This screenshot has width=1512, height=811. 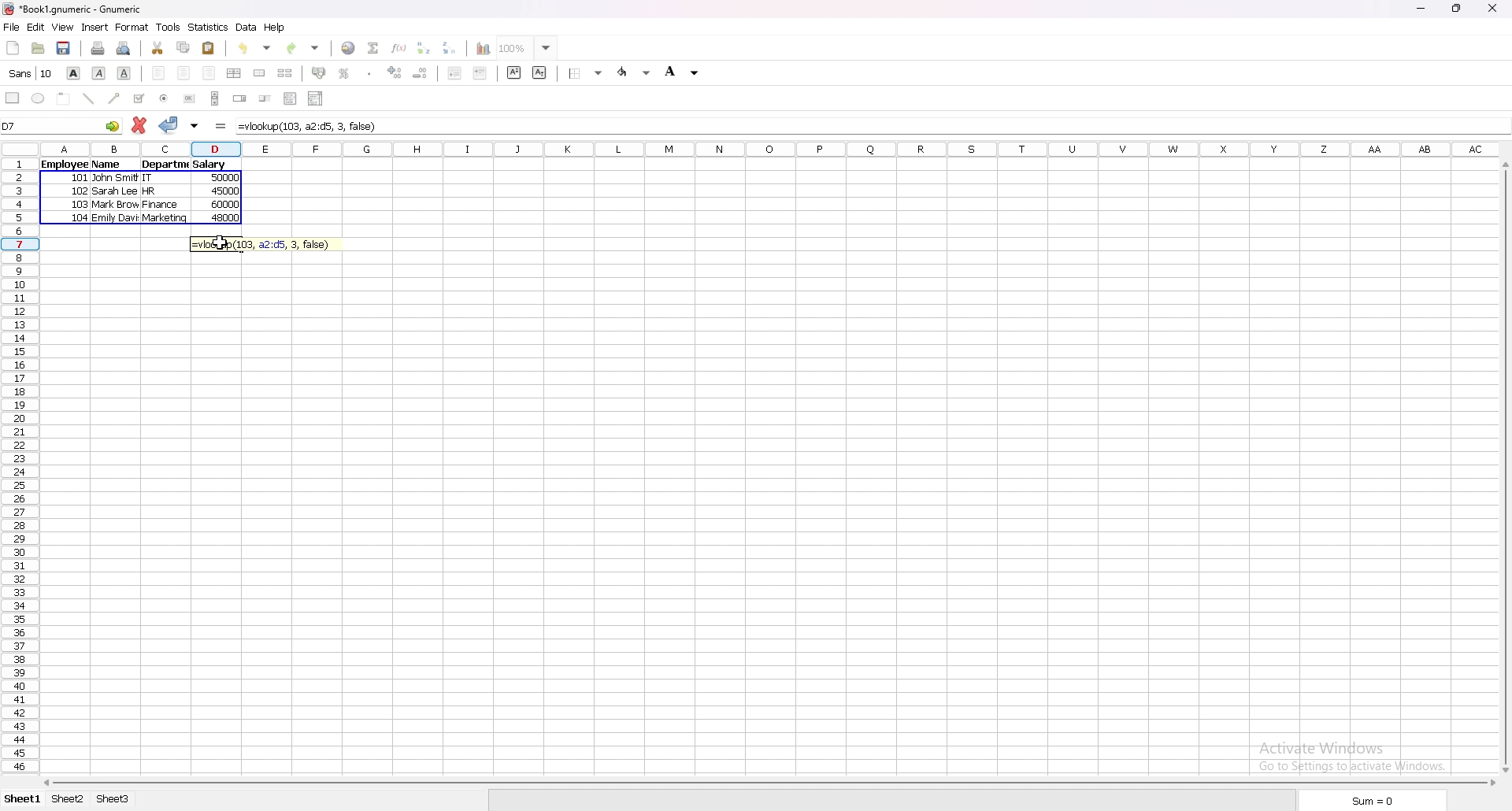 What do you see at coordinates (124, 48) in the screenshot?
I see `print preview` at bounding box center [124, 48].